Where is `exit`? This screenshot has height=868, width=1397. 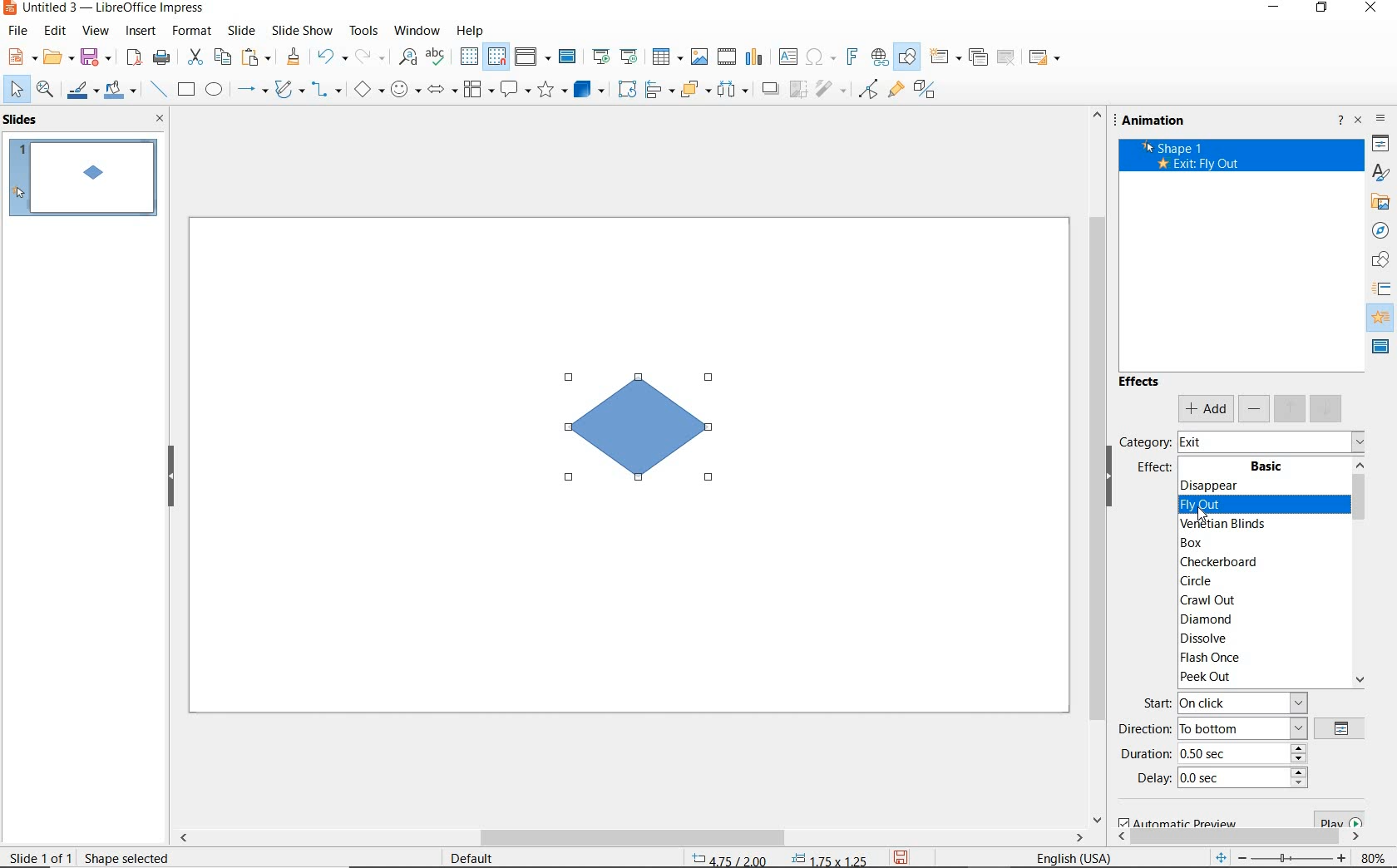
exit is located at coordinates (1270, 441).